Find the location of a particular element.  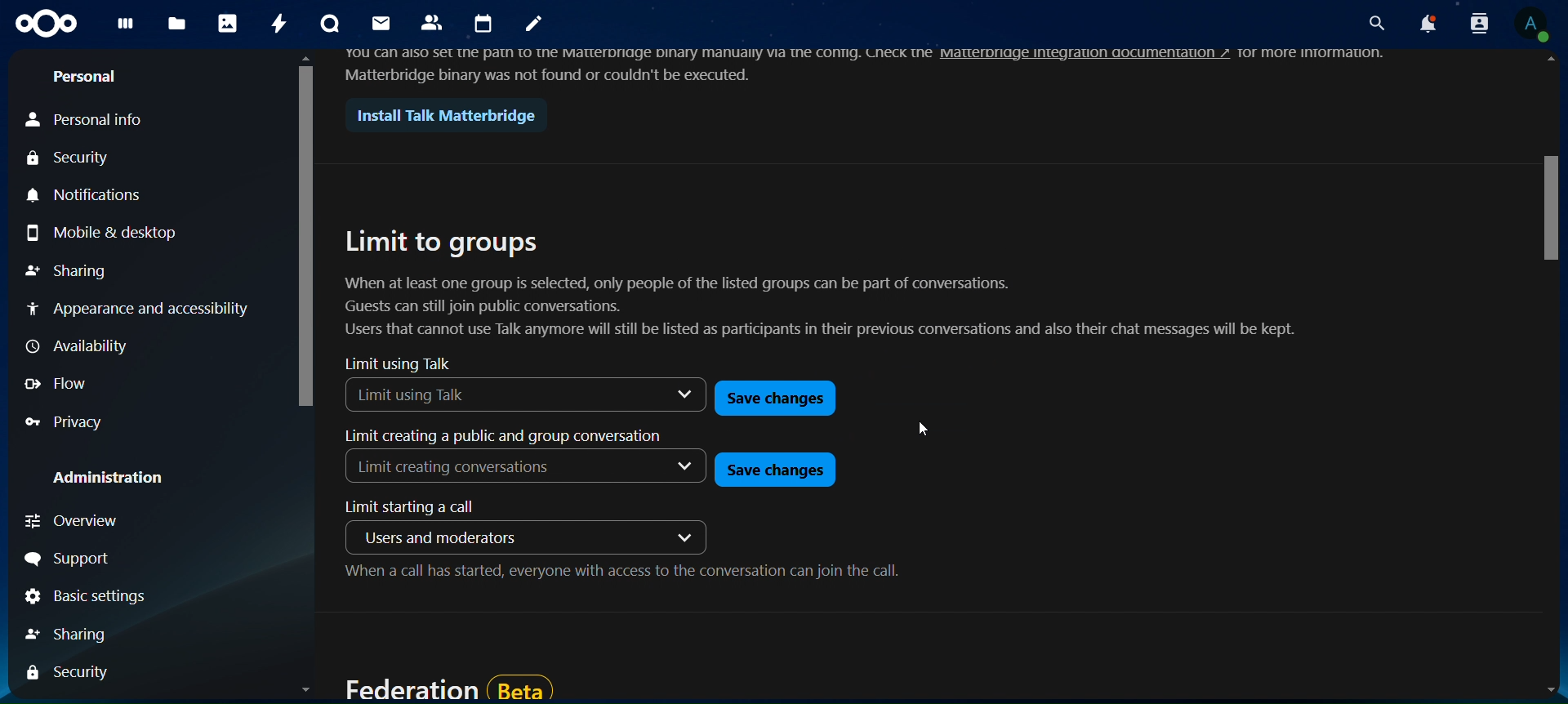

basic settings is located at coordinates (84, 599).